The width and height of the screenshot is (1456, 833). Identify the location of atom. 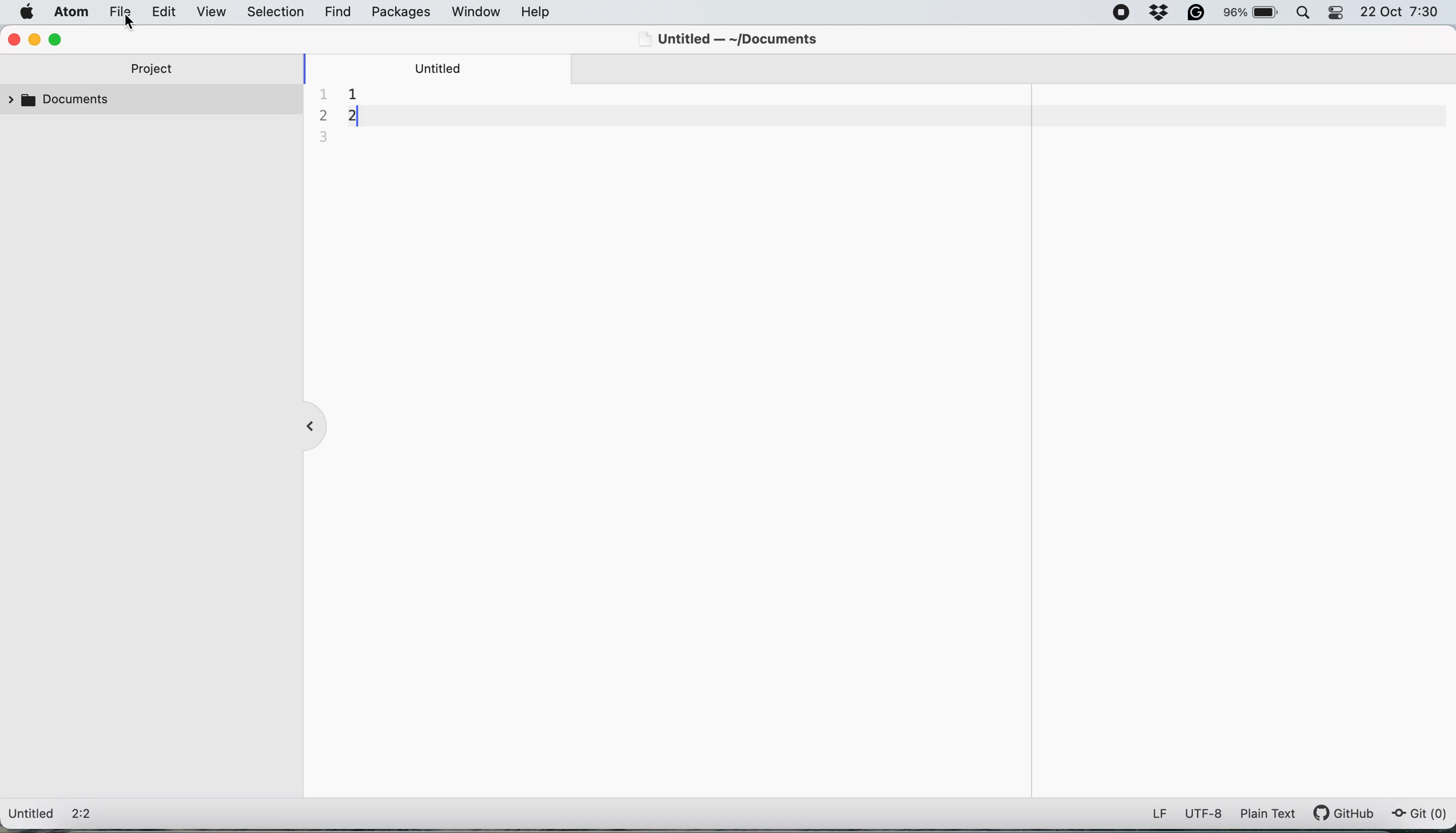
(74, 14).